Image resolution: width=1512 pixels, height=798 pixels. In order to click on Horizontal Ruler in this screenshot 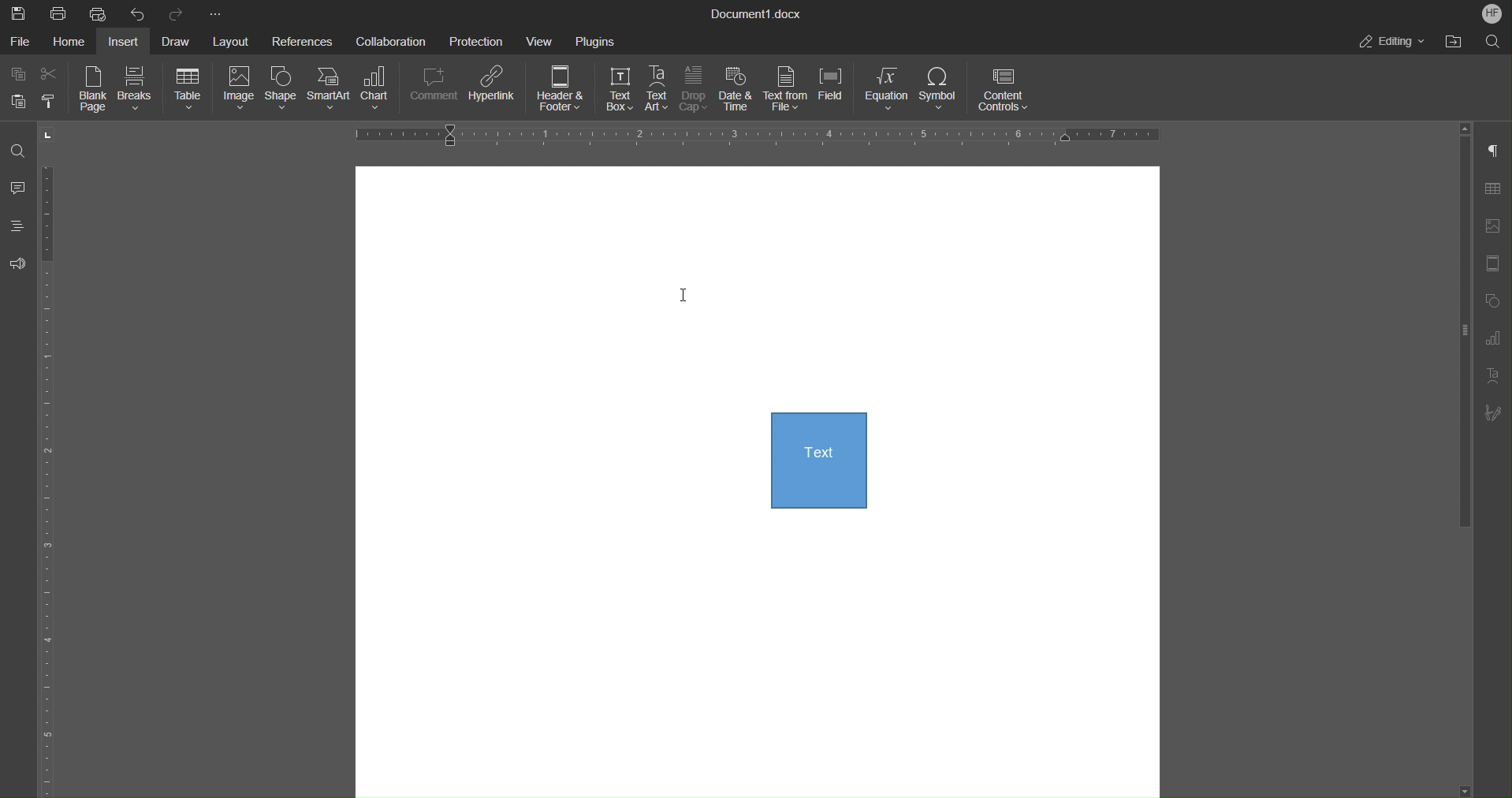, I will do `click(54, 480)`.